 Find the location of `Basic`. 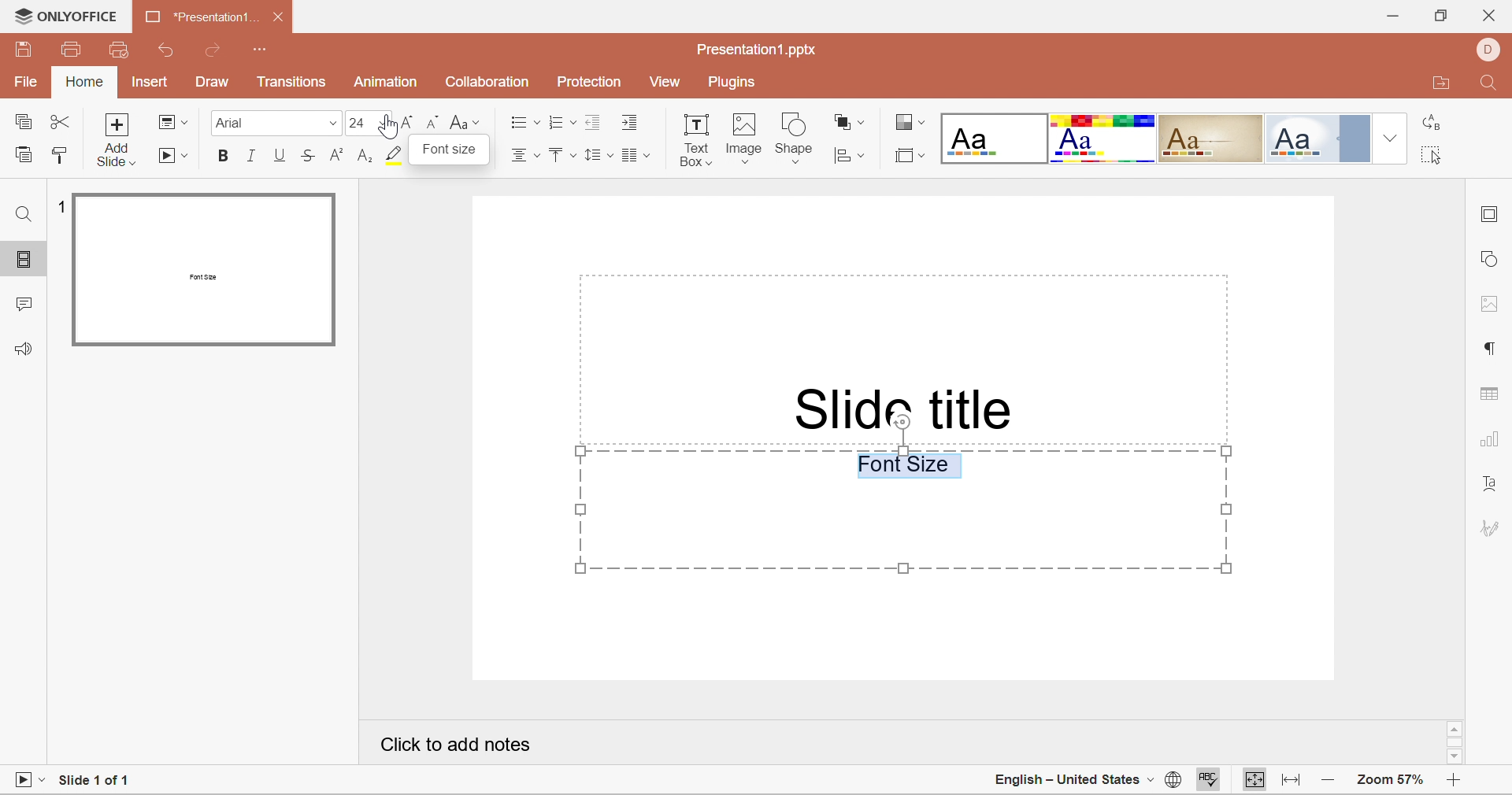

Basic is located at coordinates (1104, 139).